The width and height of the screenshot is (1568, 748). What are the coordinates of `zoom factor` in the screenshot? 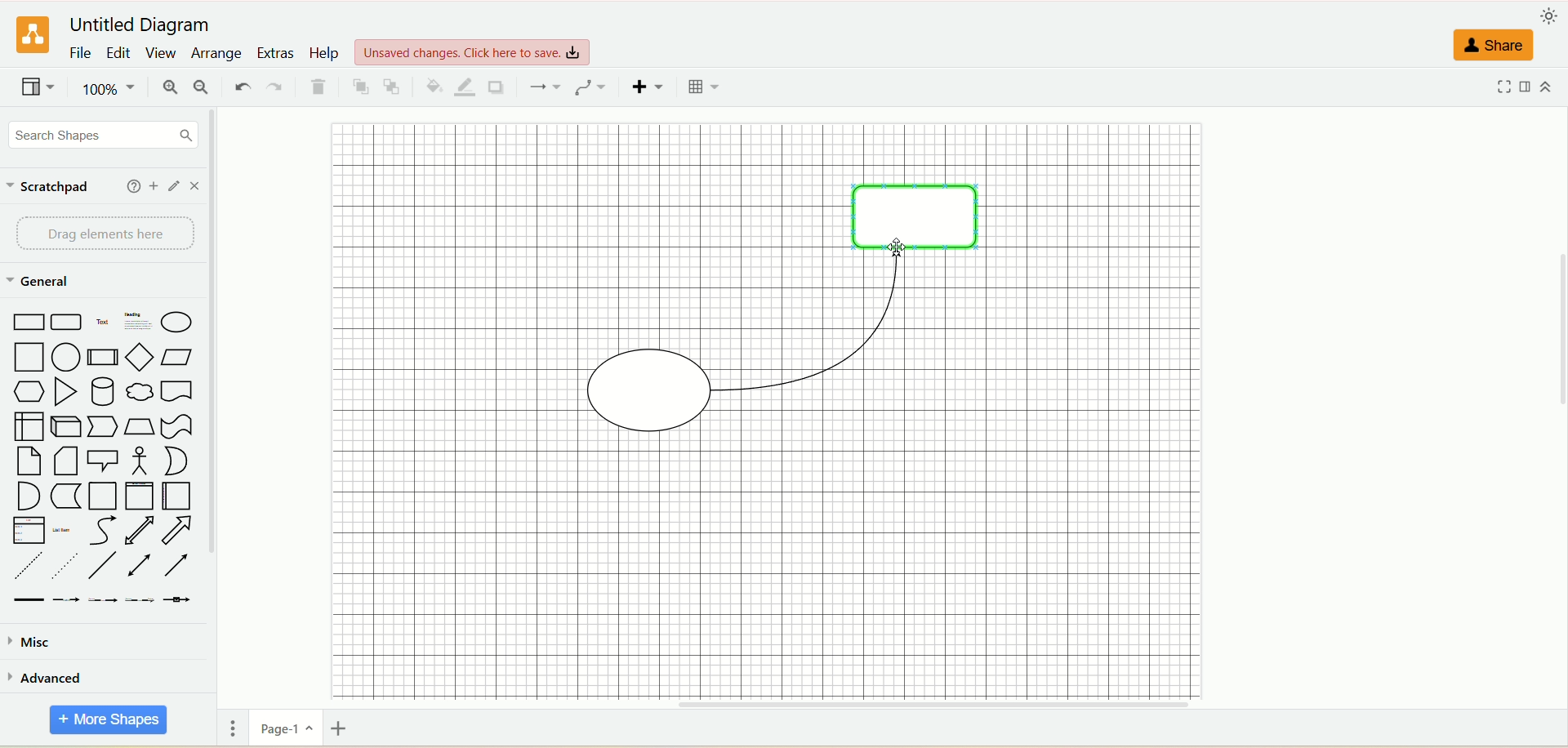 It's located at (107, 91).